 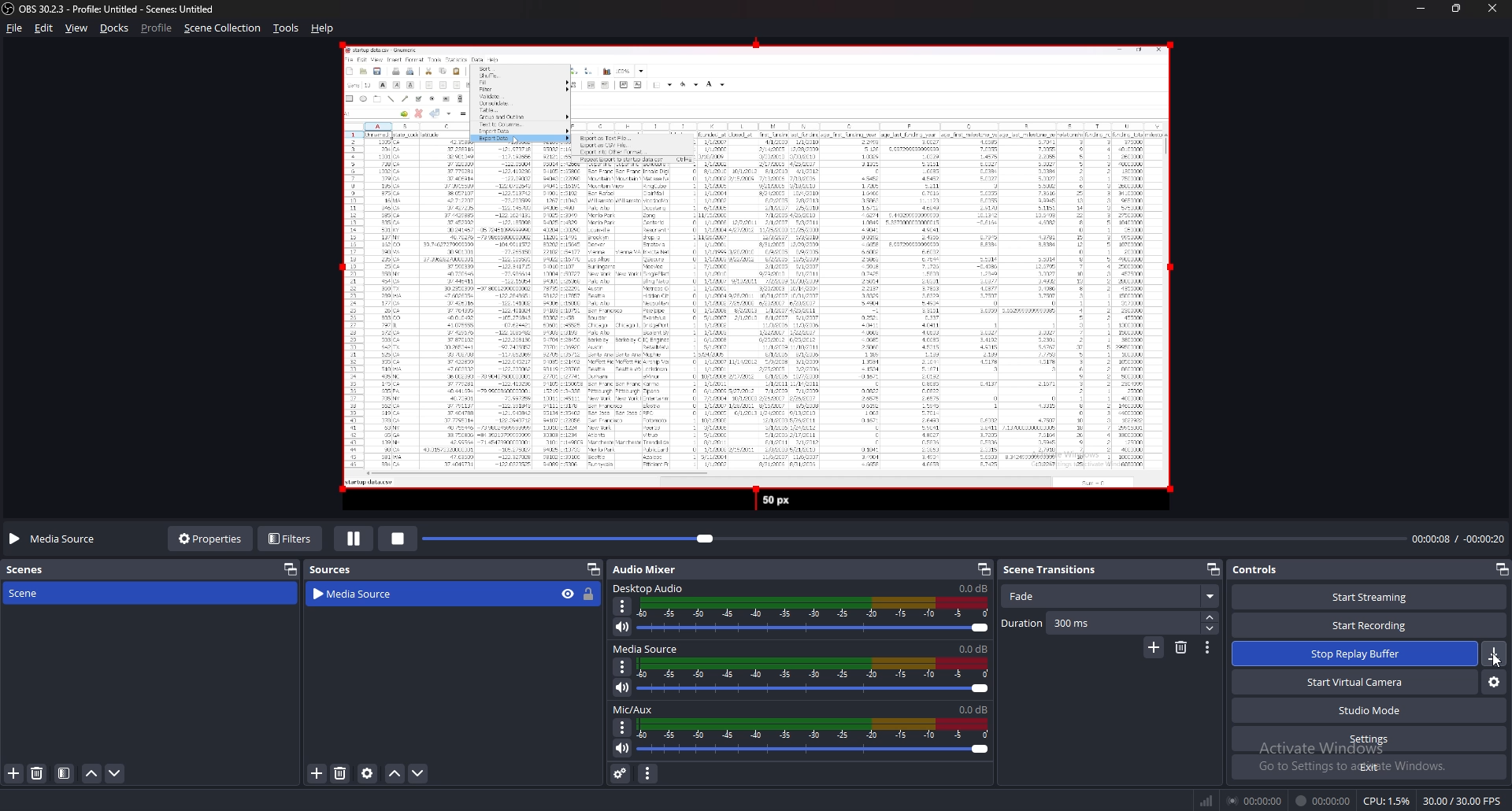 What do you see at coordinates (157, 28) in the screenshot?
I see `profile` at bounding box center [157, 28].